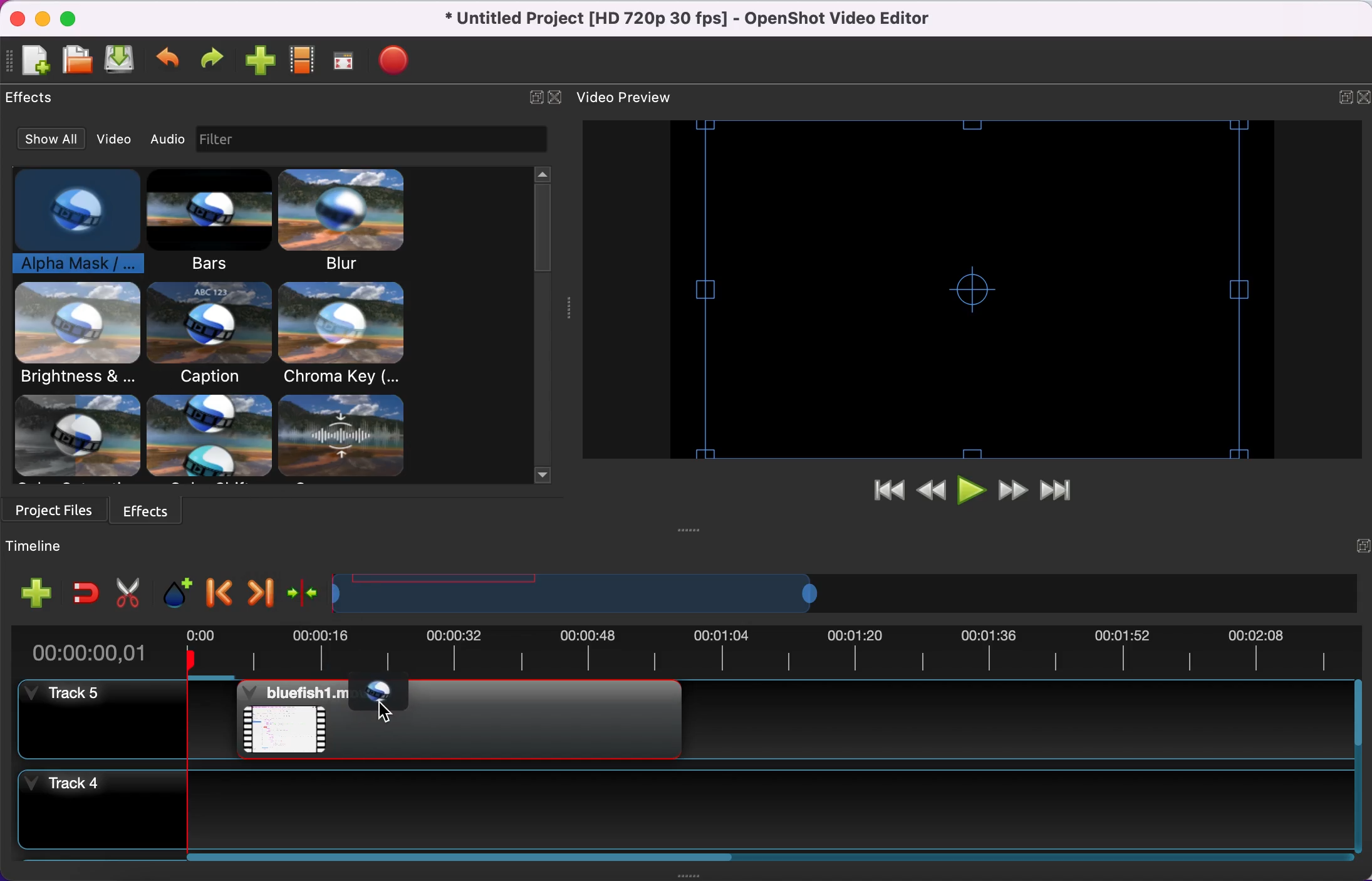 This screenshot has height=881, width=1372. I want to click on chroma key, so click(345, 334).